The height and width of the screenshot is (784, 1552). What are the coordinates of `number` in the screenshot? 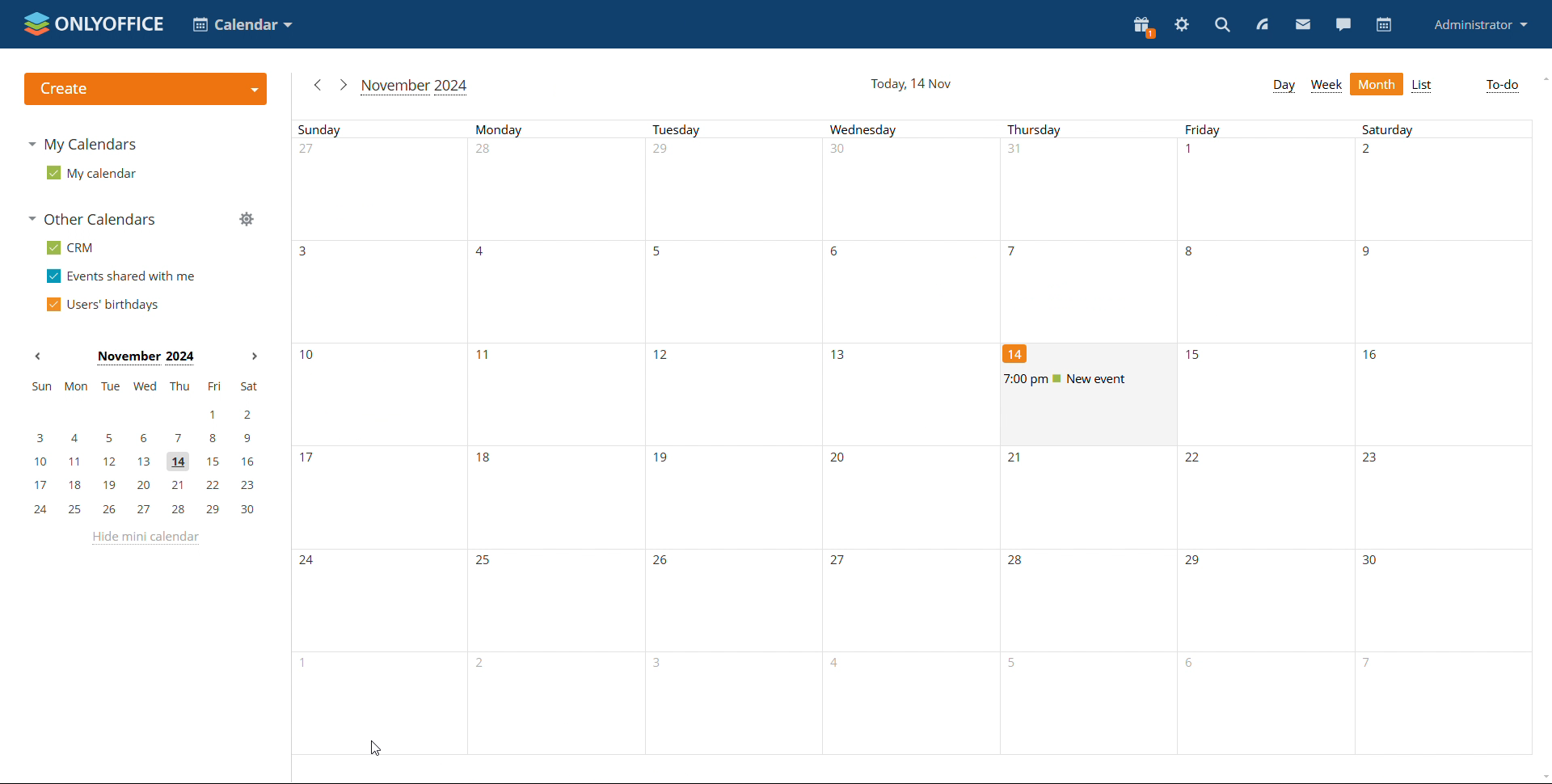 It's located at (487, 666).